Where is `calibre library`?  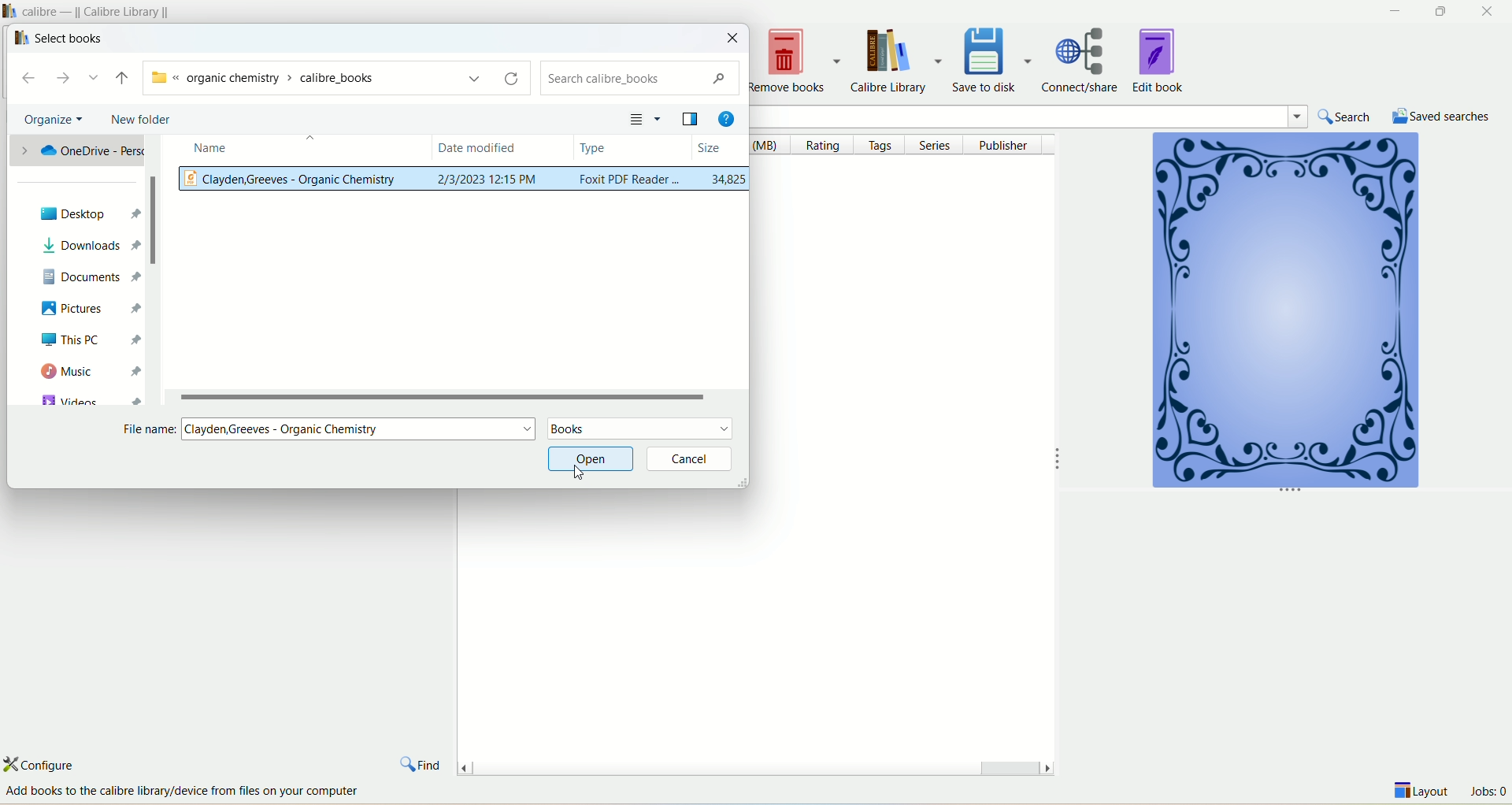
calibre library is located at coordinates (900, 61).